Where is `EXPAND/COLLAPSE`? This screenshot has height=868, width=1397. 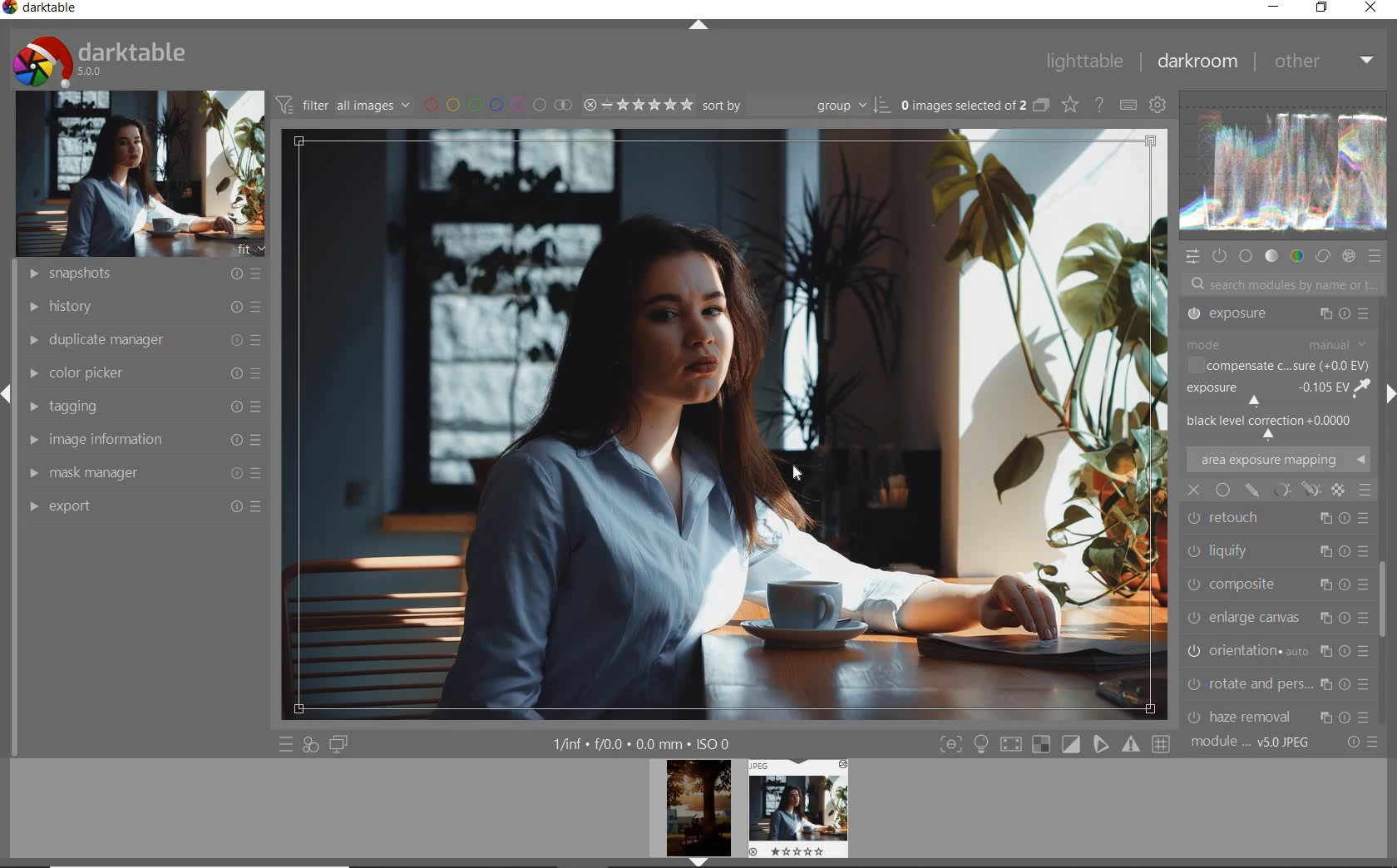
EXPAND/COLLAPSE is located at coordinates (1389, 394).